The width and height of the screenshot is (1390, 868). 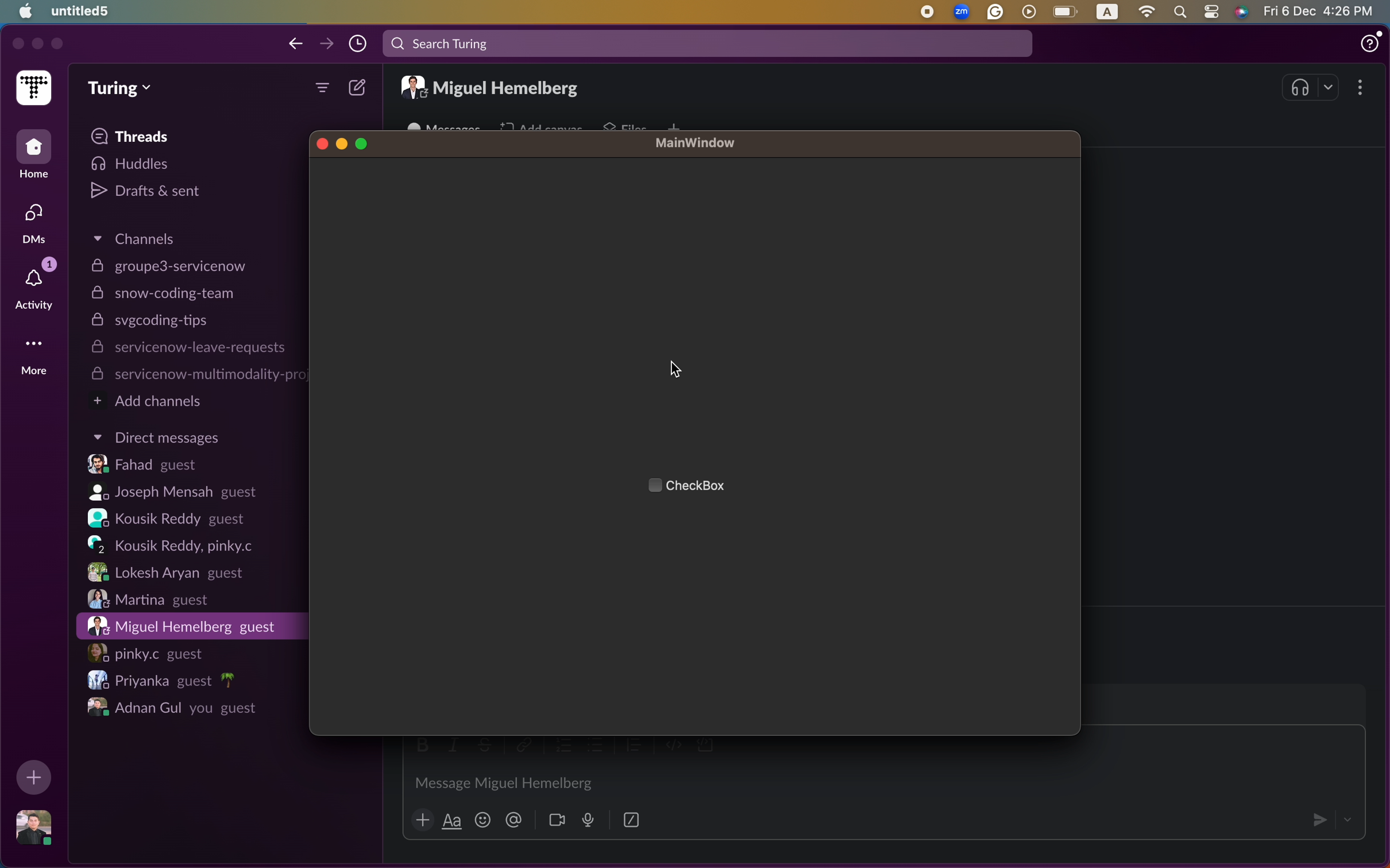 I want to click on zm, so click(x=963, y=11).